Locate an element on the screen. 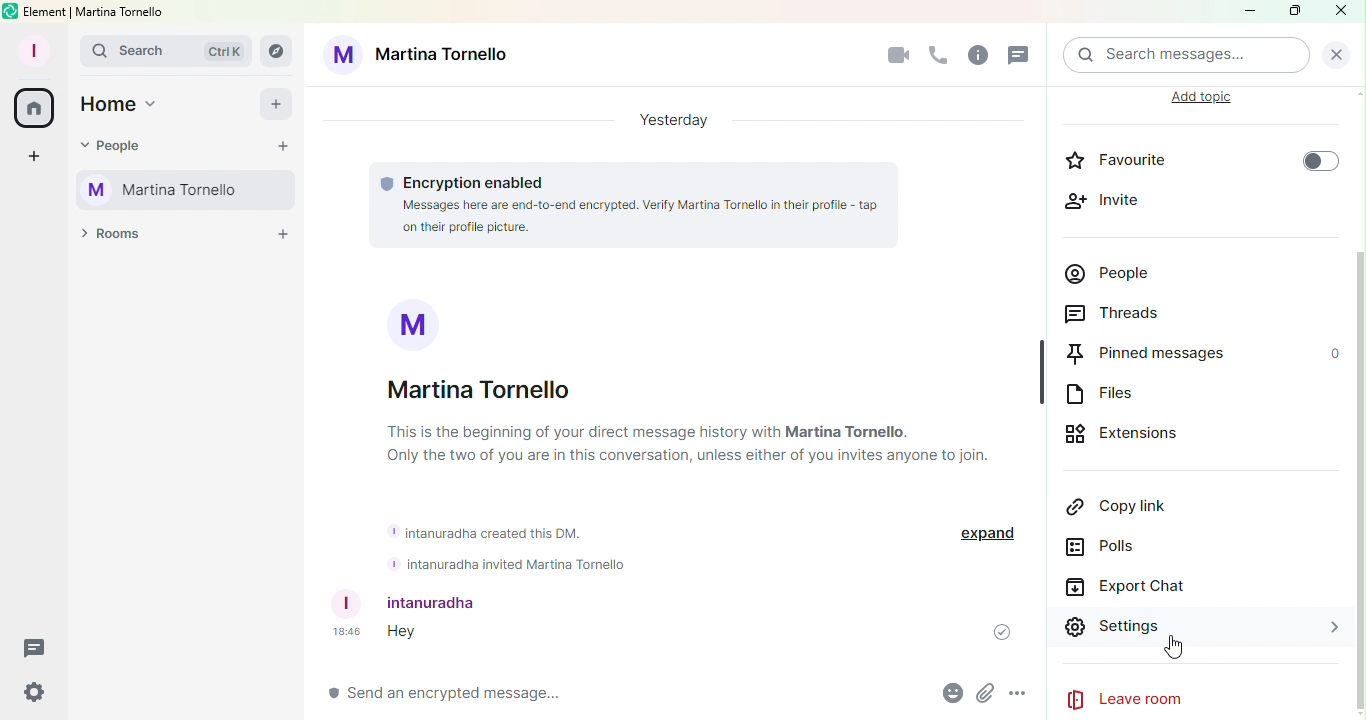 Image resolution: width=1366 pixels, height=720 pixels. Clear Search is located at coordinates (1337, 56).